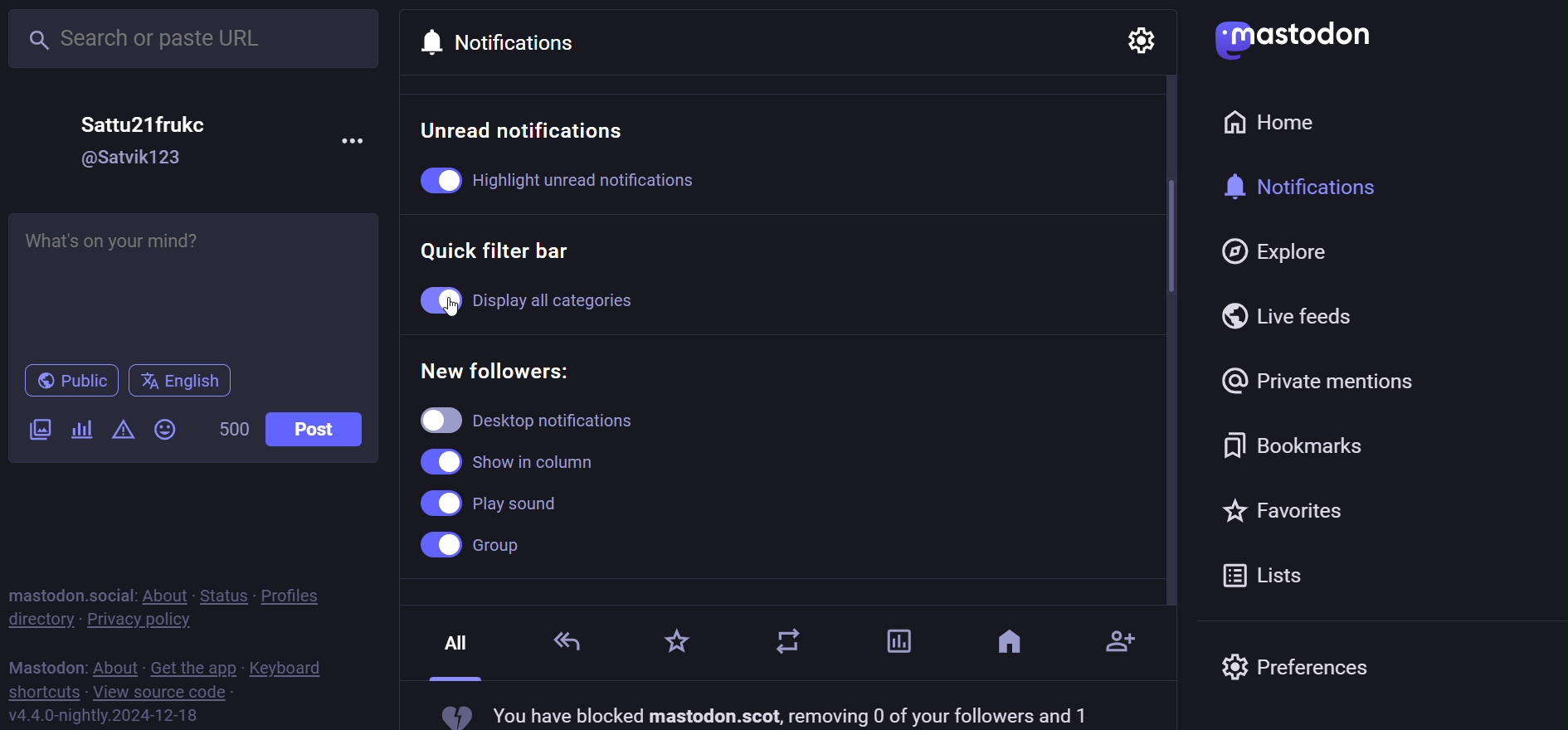 The width and height of the screenshot is (1568, 730). What do you see at coordinates (121, 431) in the screenshot?
I see `content warning` at bounding box center [121, 431].